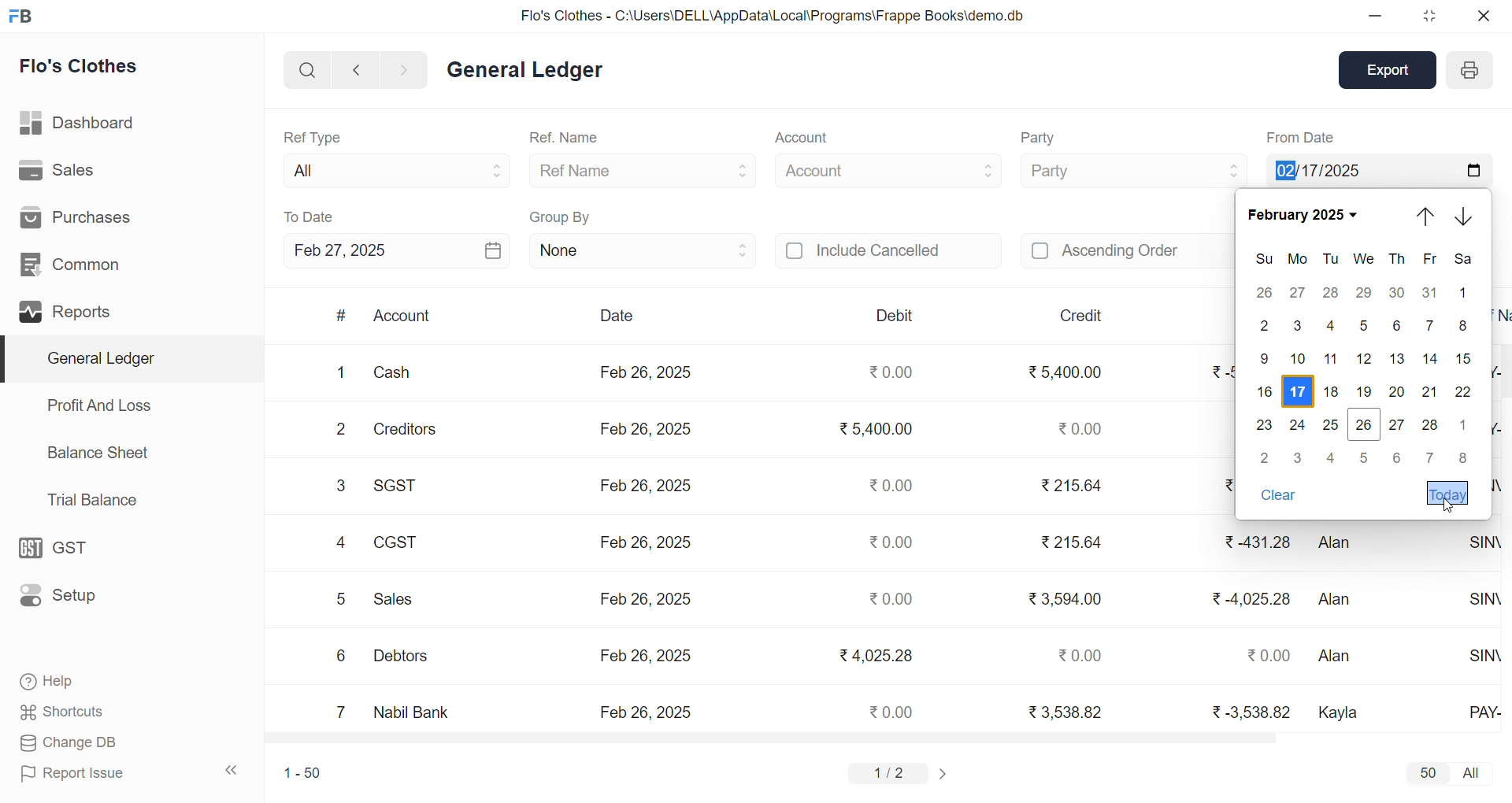  I want to click on Change DB, so click(66, 742).